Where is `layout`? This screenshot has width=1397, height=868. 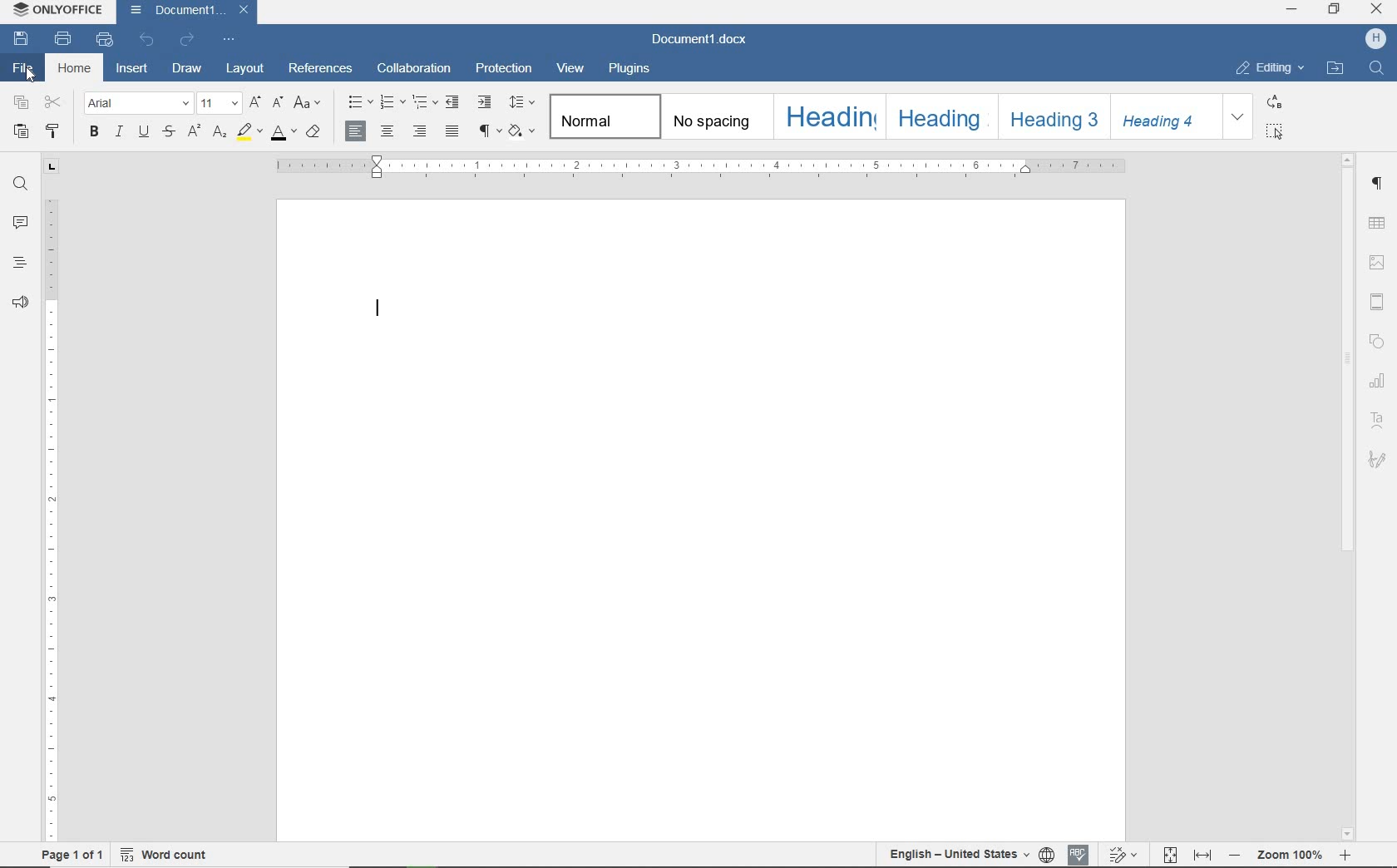 layout is located at coordinates (243, 68).